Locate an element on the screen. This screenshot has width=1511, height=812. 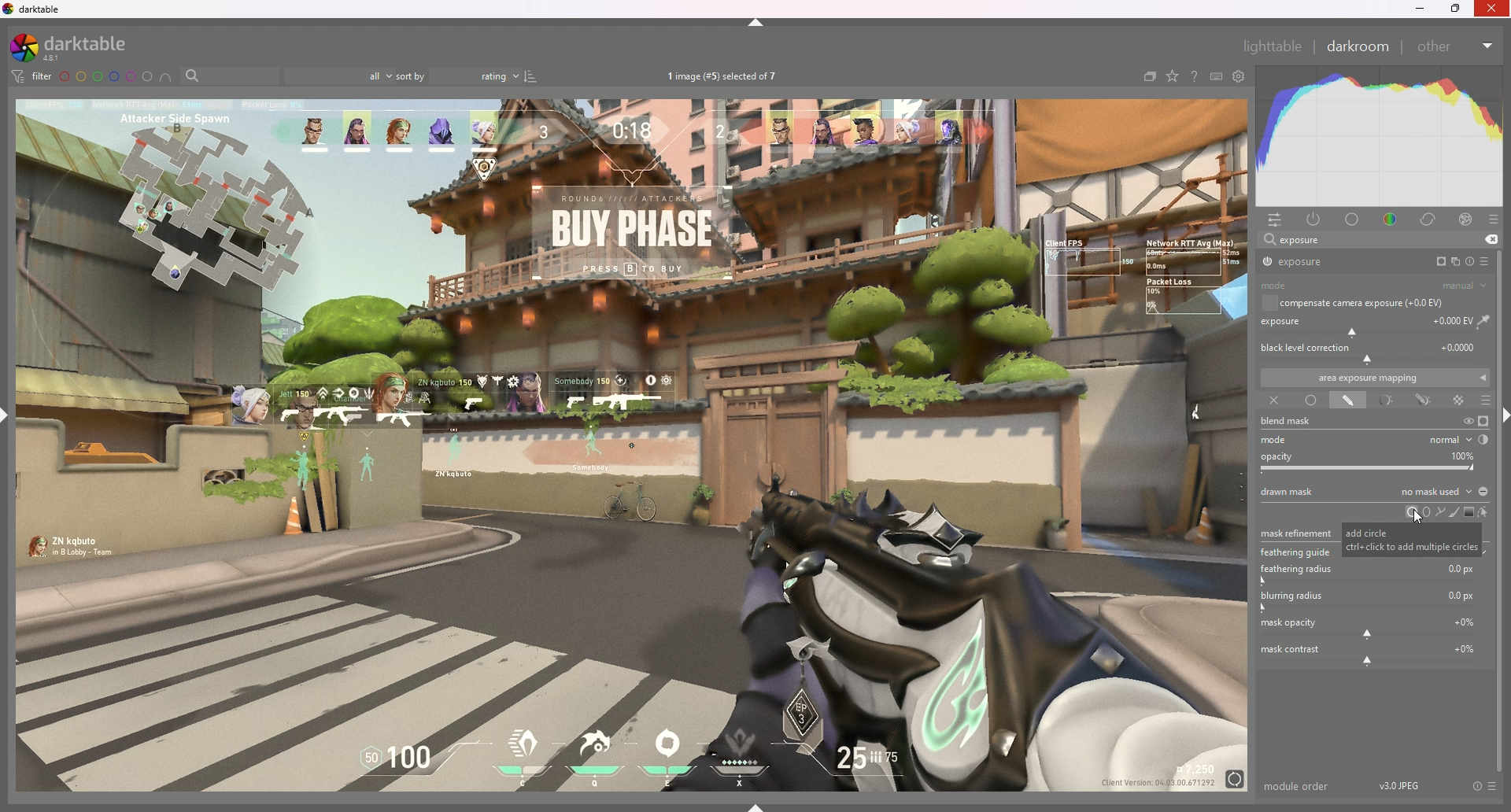
other is located at coordinates (1456, 46).